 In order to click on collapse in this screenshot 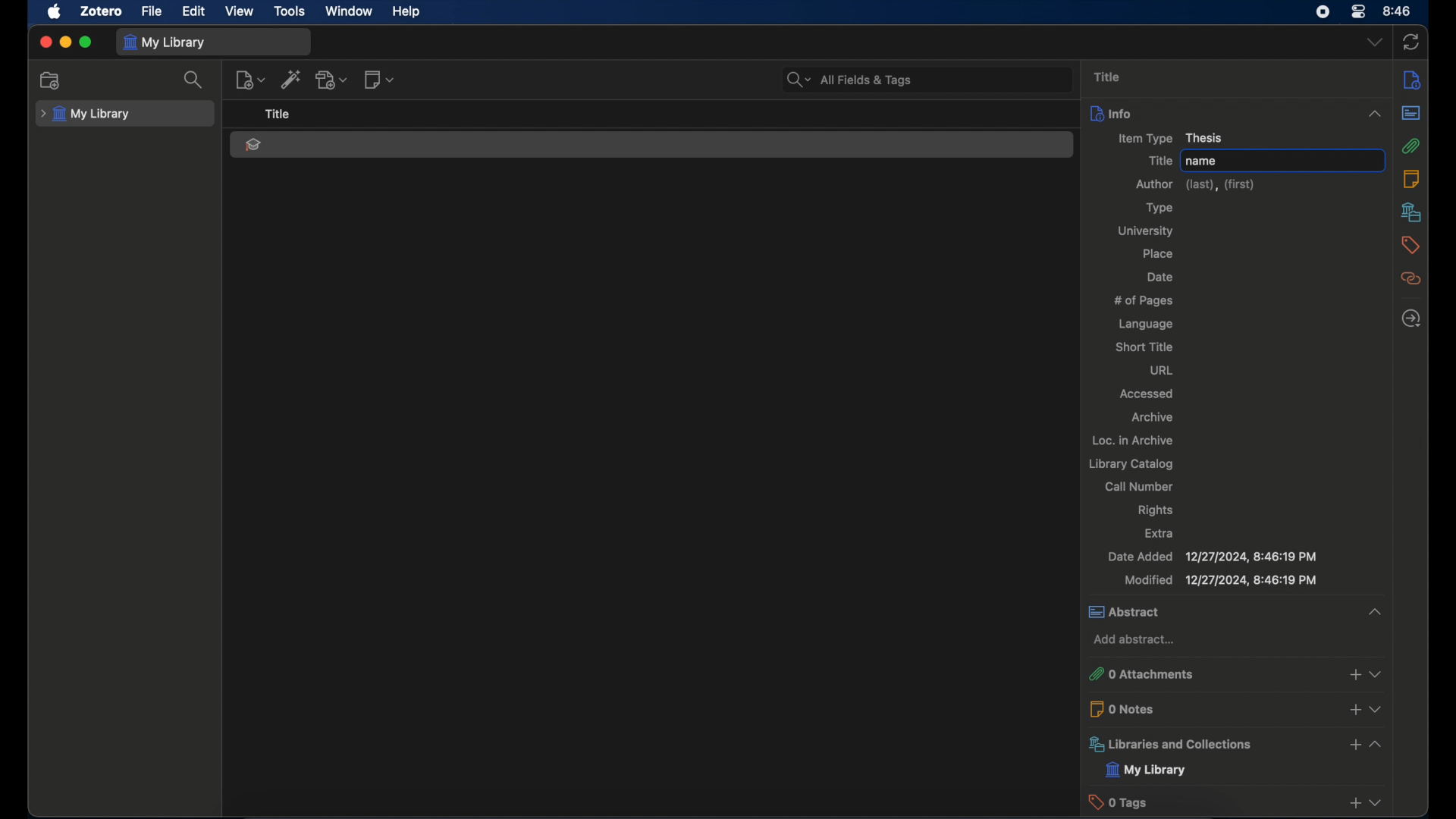, I will do `click(1376, 743)`.